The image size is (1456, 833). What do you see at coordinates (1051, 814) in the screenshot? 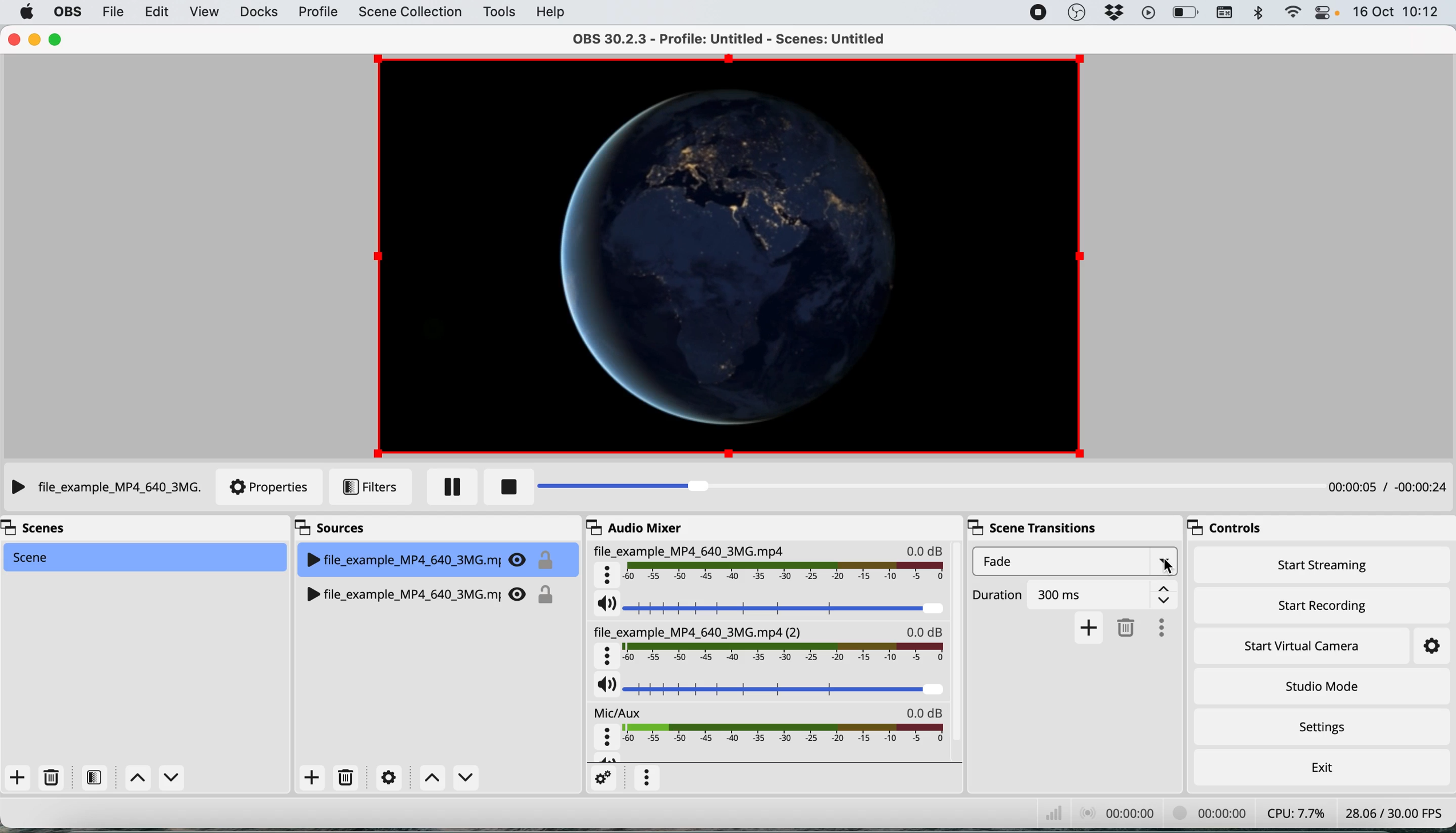
I see `network` at bounding box center [1051, 814].